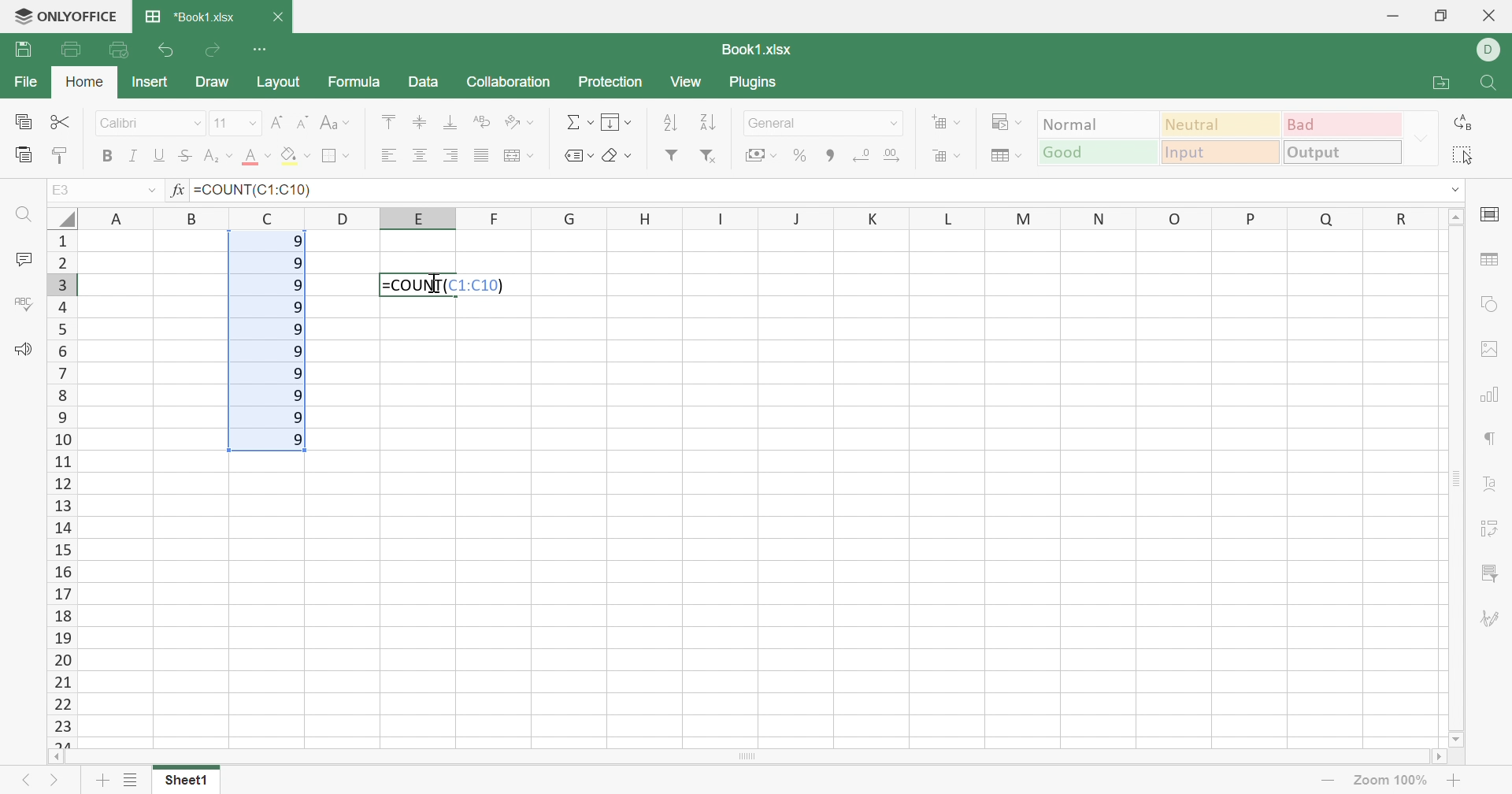 The width and height of the screenshot is (1512, 794). What do you see at coordinates (213, 83) in the screenshot?
I see `Draw` at bounding box center [213, 83].